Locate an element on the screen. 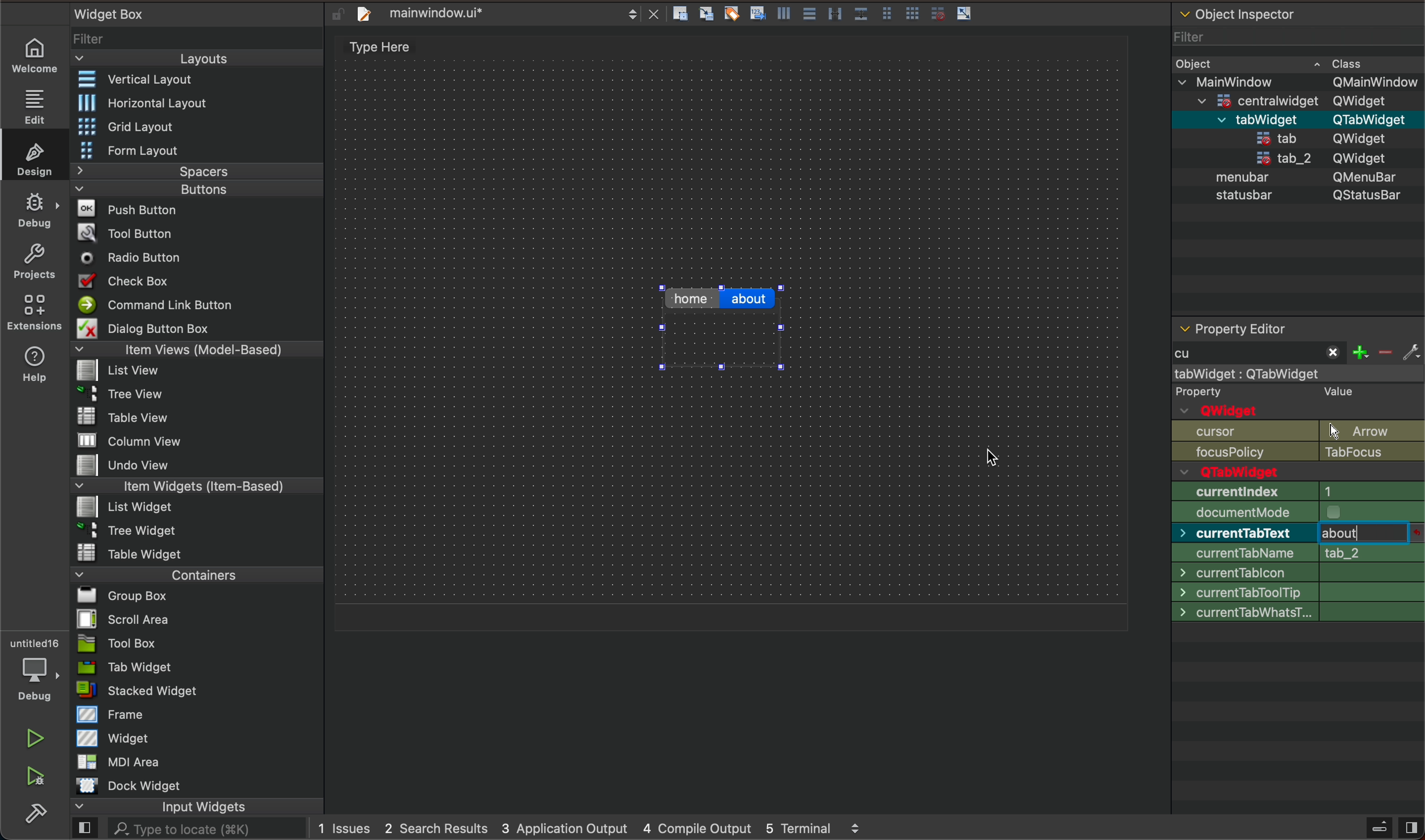 The image size is (1425, 840). tab_2 is located at coordinates (1270, 160).